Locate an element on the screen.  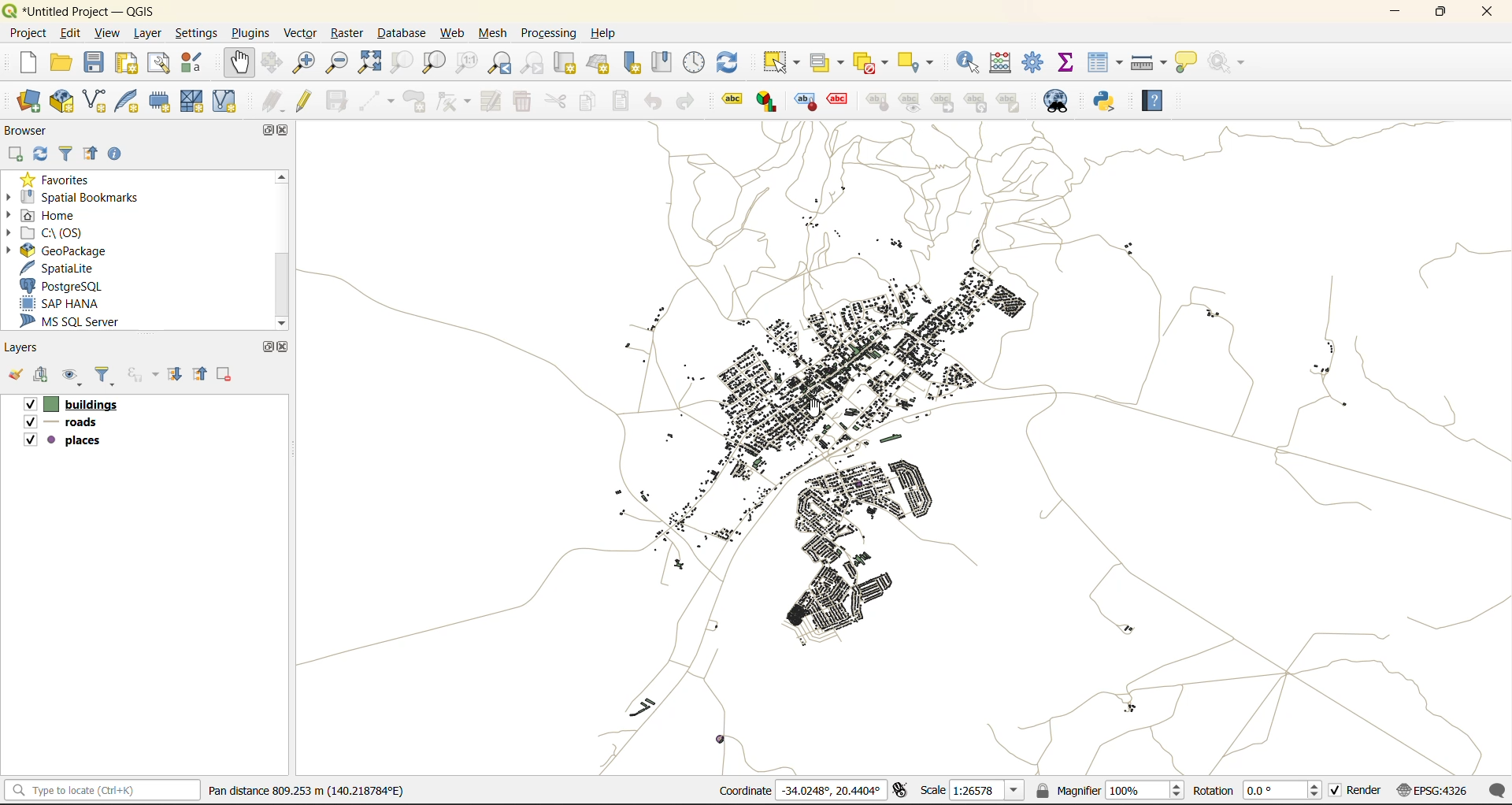
statistical summary is located at coordinates (1069, 62).